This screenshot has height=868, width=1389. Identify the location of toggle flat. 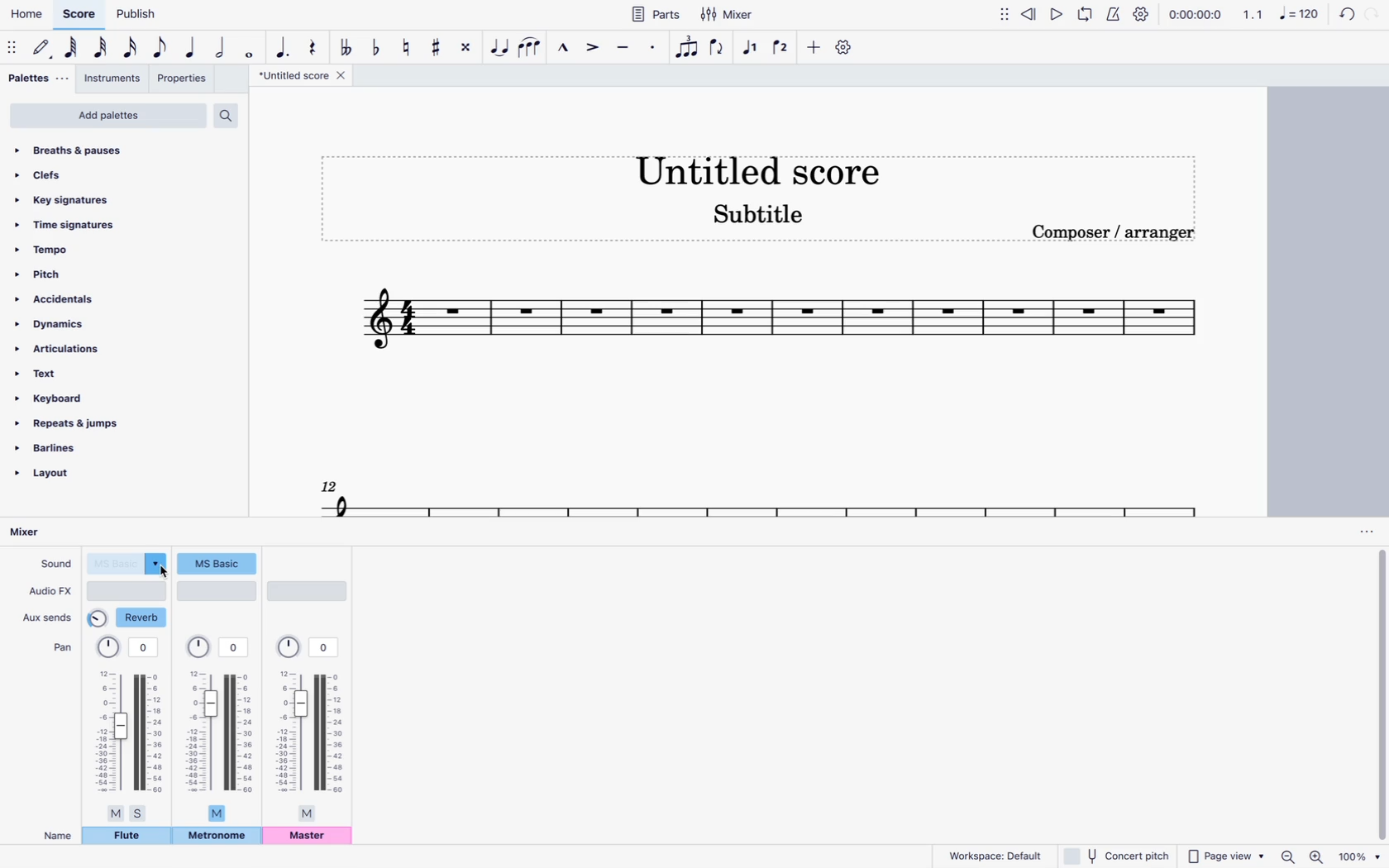
(376, 46).